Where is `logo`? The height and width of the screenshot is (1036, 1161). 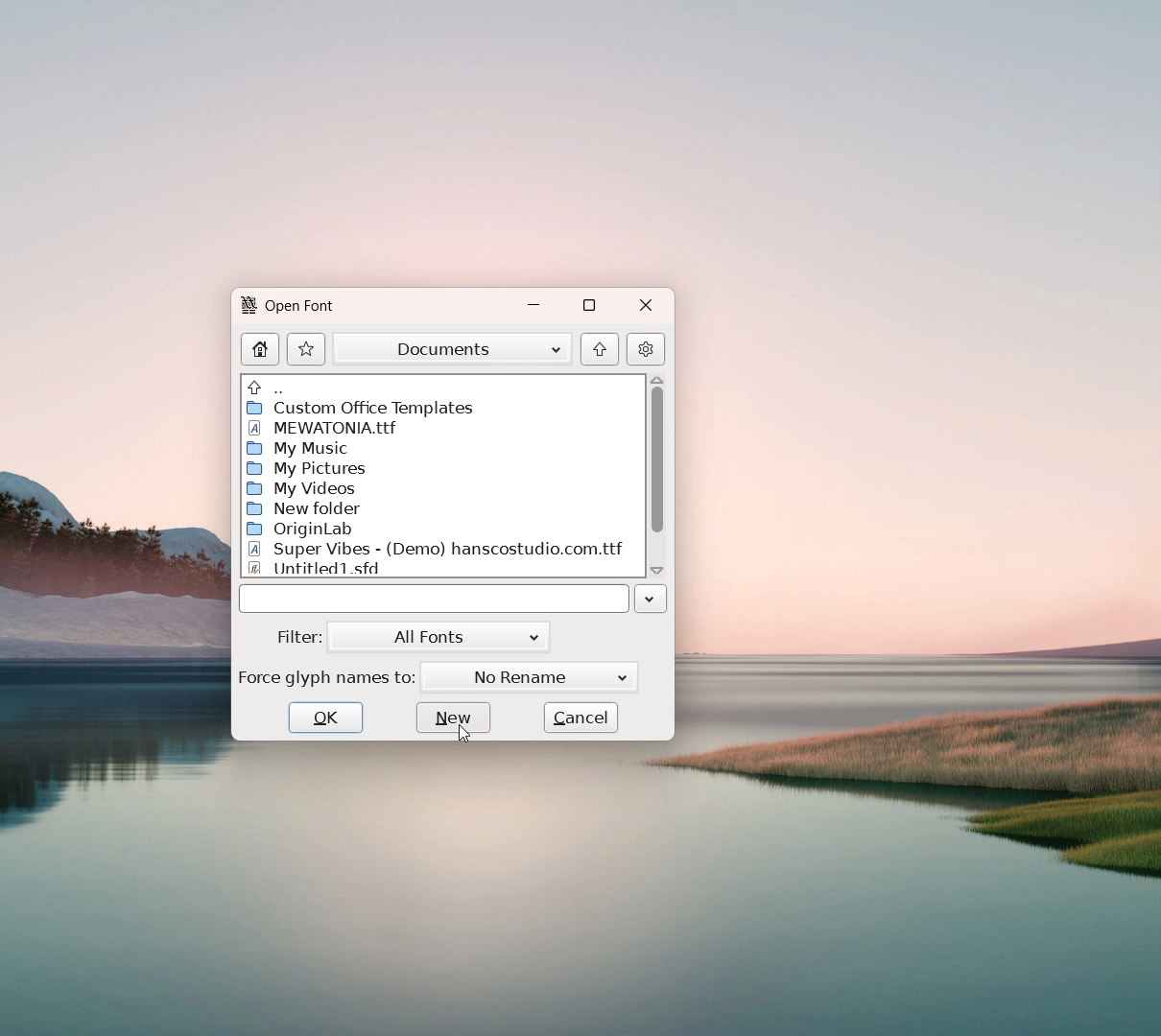 logo is located at coordinates (247, 307).